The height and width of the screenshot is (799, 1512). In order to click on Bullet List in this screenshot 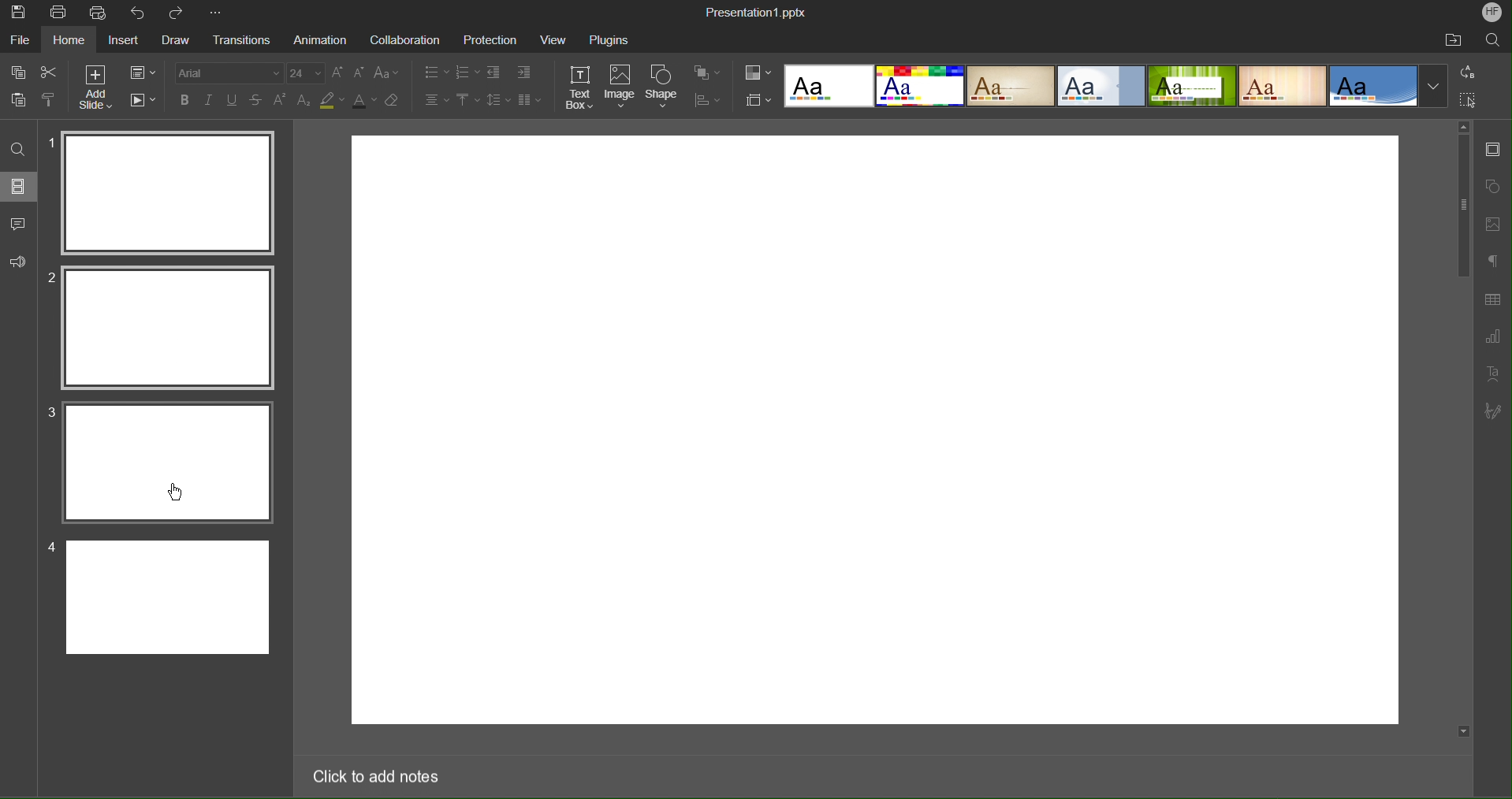, I will do `click(437, 71)`.